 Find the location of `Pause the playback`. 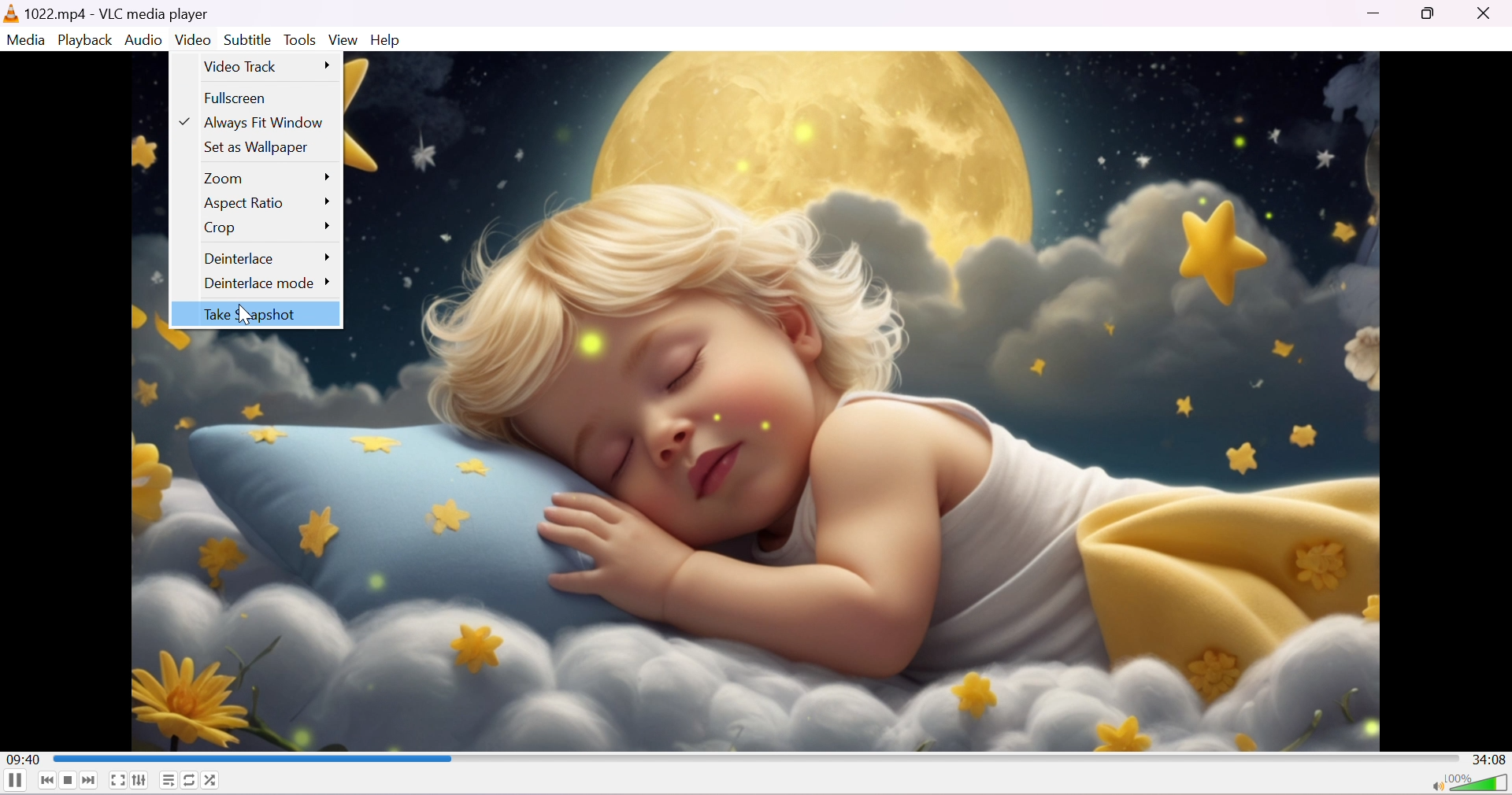

Pause the playback is located at coordinates (14, 783).